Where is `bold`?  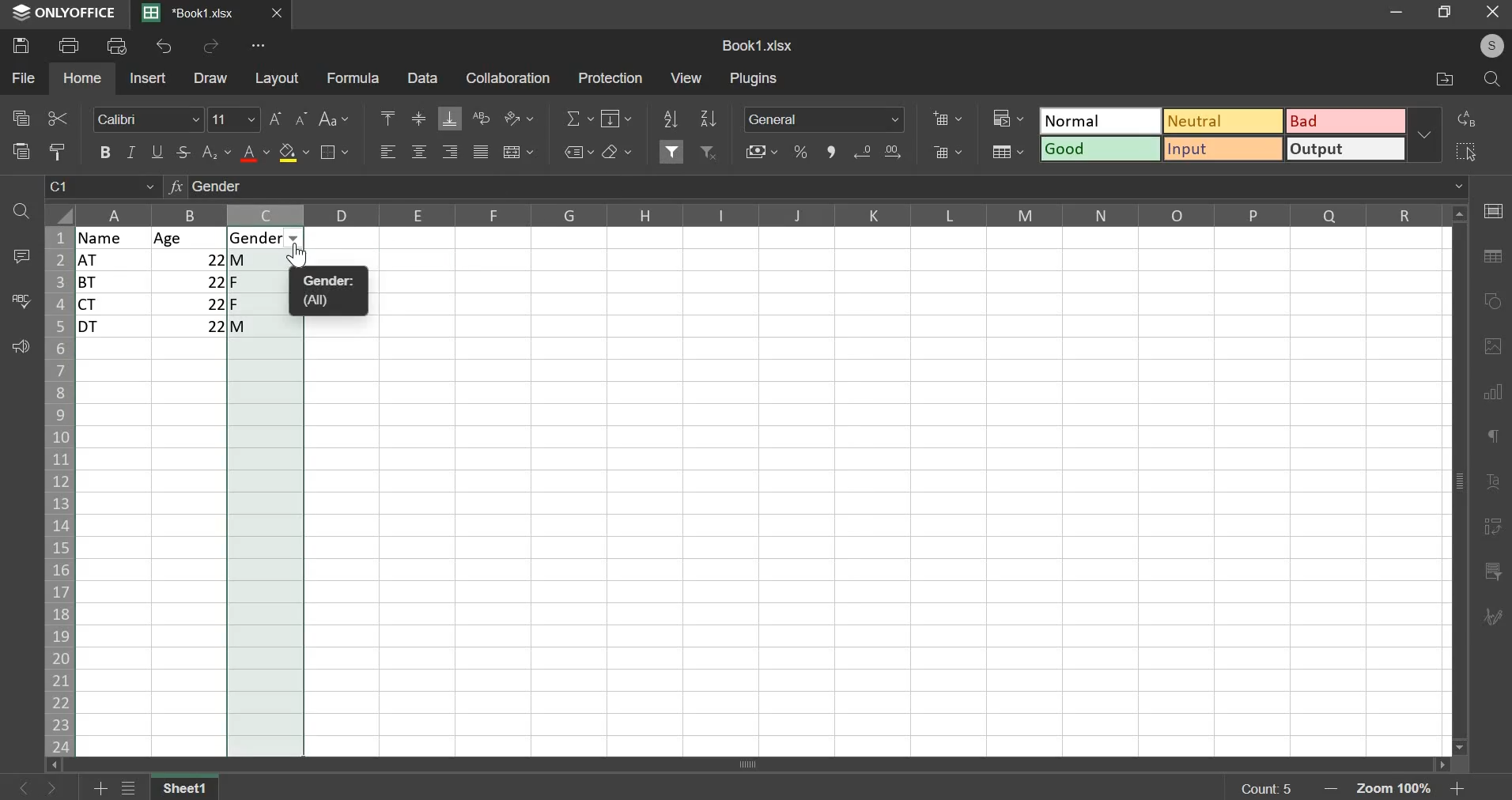 bold is located at coordinates (104, 150).